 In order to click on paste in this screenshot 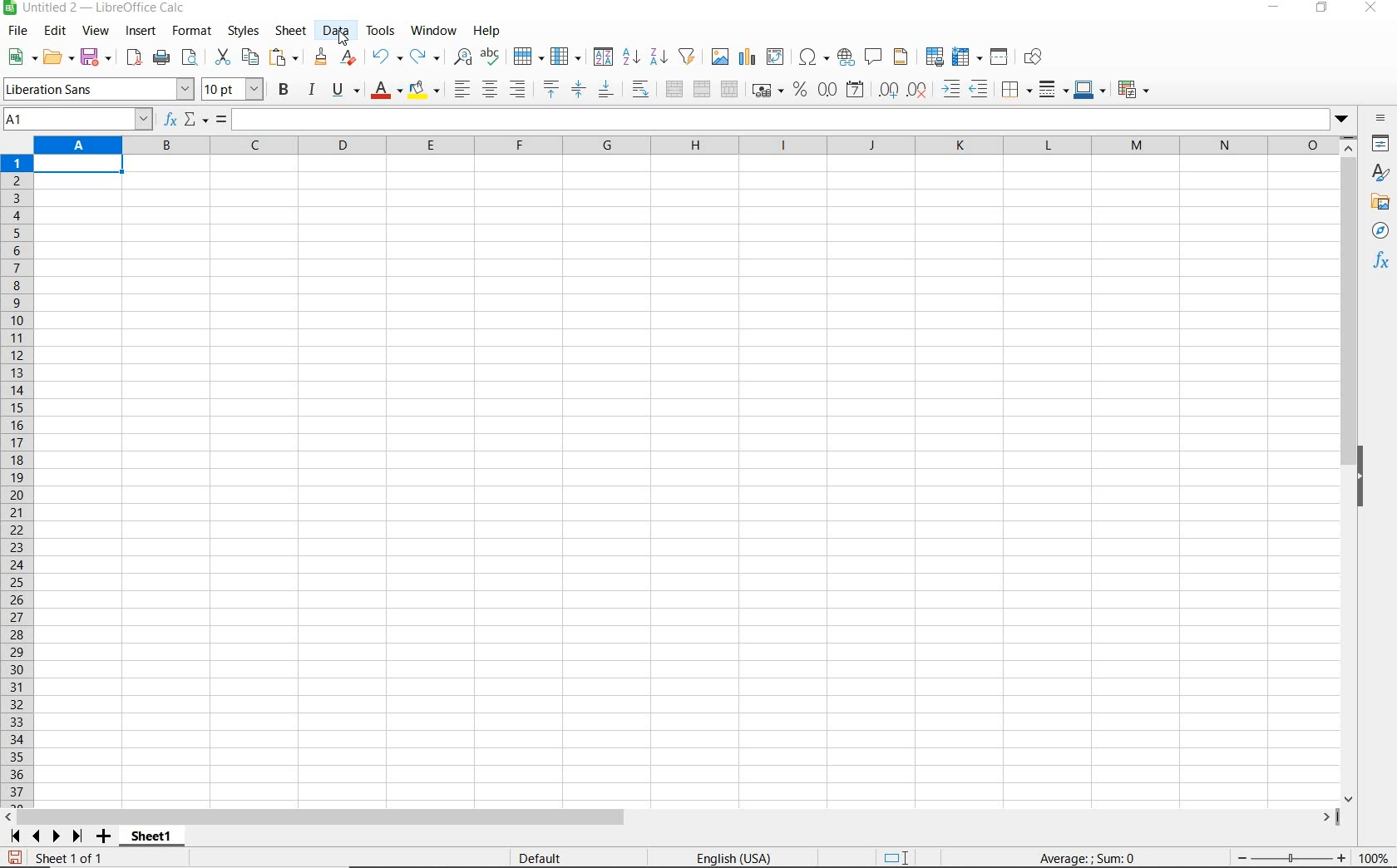, I will do `click(286, 59)`.